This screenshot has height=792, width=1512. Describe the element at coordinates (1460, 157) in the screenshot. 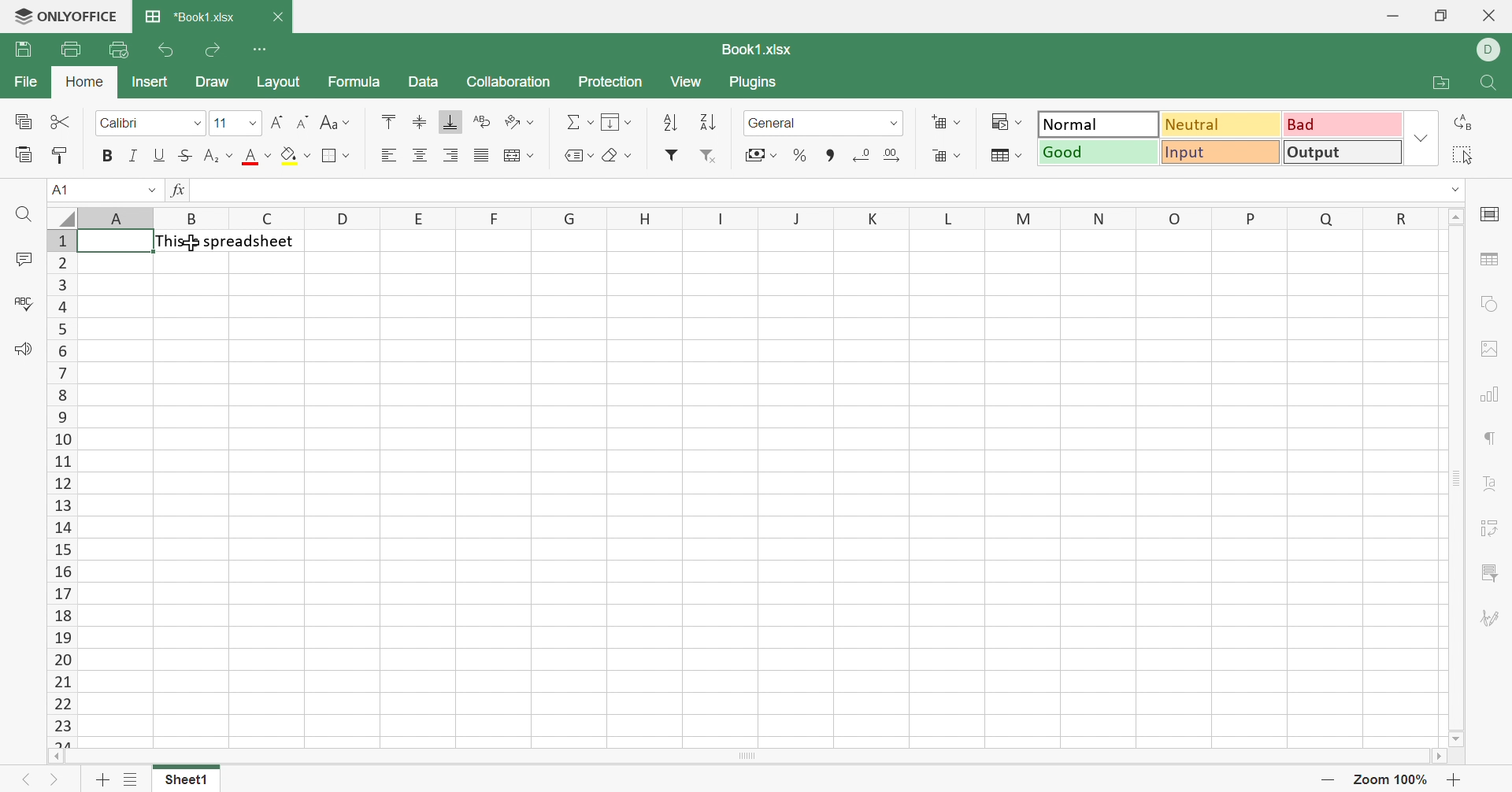

I see `Select all` at that location.